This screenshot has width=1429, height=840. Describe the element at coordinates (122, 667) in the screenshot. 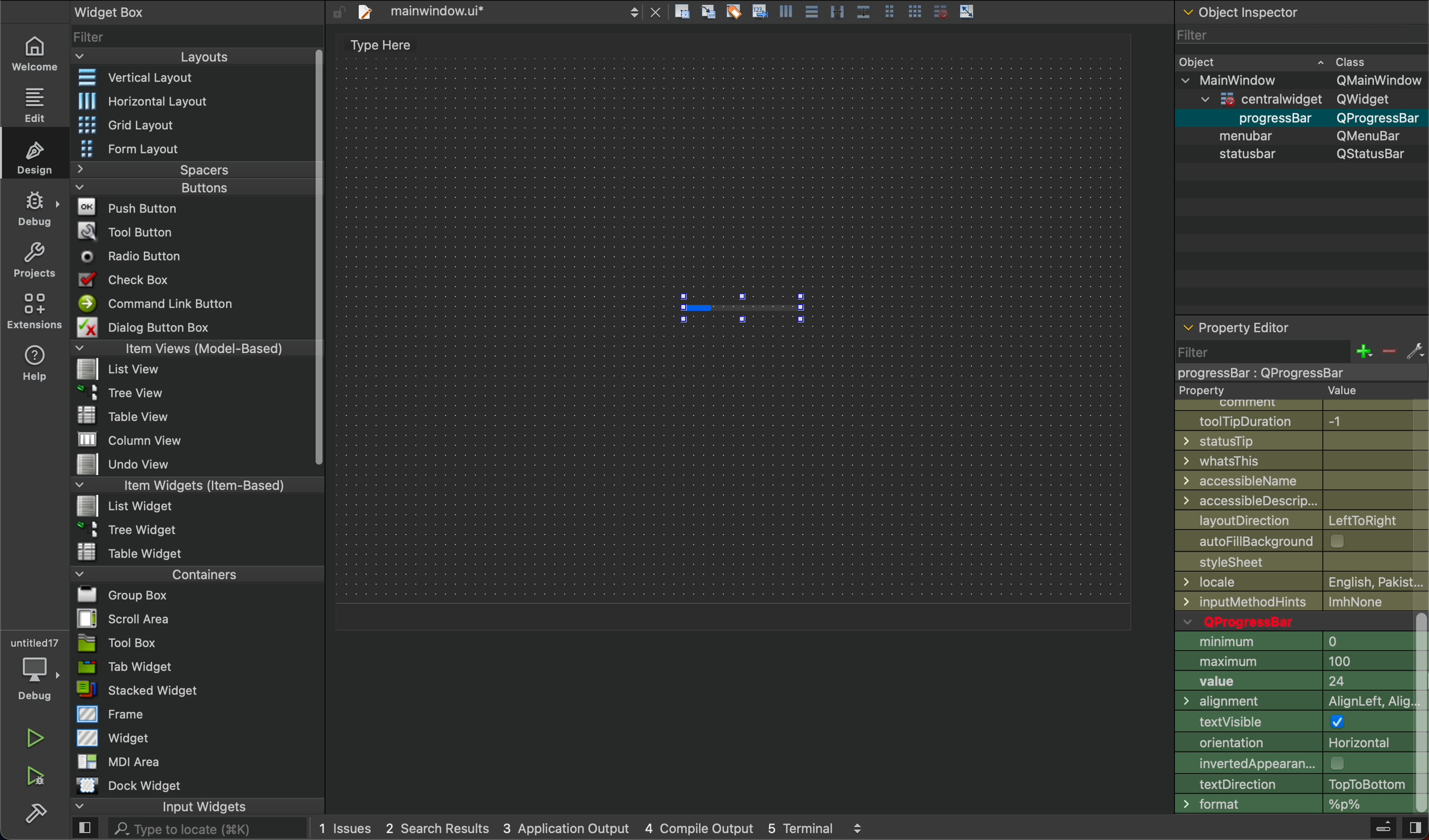

I see `Tab Widget` at that location.